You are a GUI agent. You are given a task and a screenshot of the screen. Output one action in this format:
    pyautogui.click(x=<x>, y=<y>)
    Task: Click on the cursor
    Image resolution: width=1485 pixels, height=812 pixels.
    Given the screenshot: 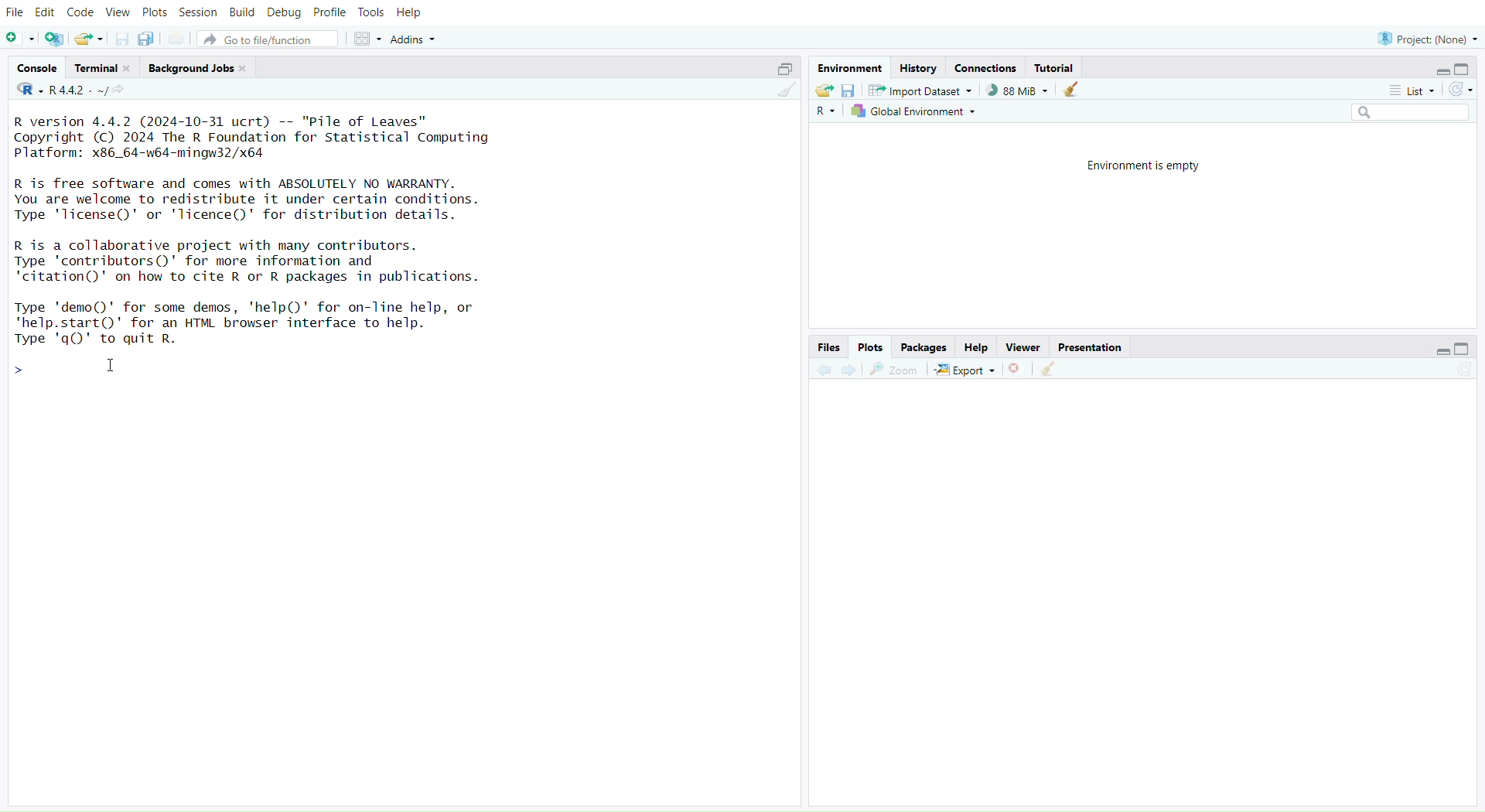 What is the action you would take?
    pyautogui.click(x=108, y=367)
    